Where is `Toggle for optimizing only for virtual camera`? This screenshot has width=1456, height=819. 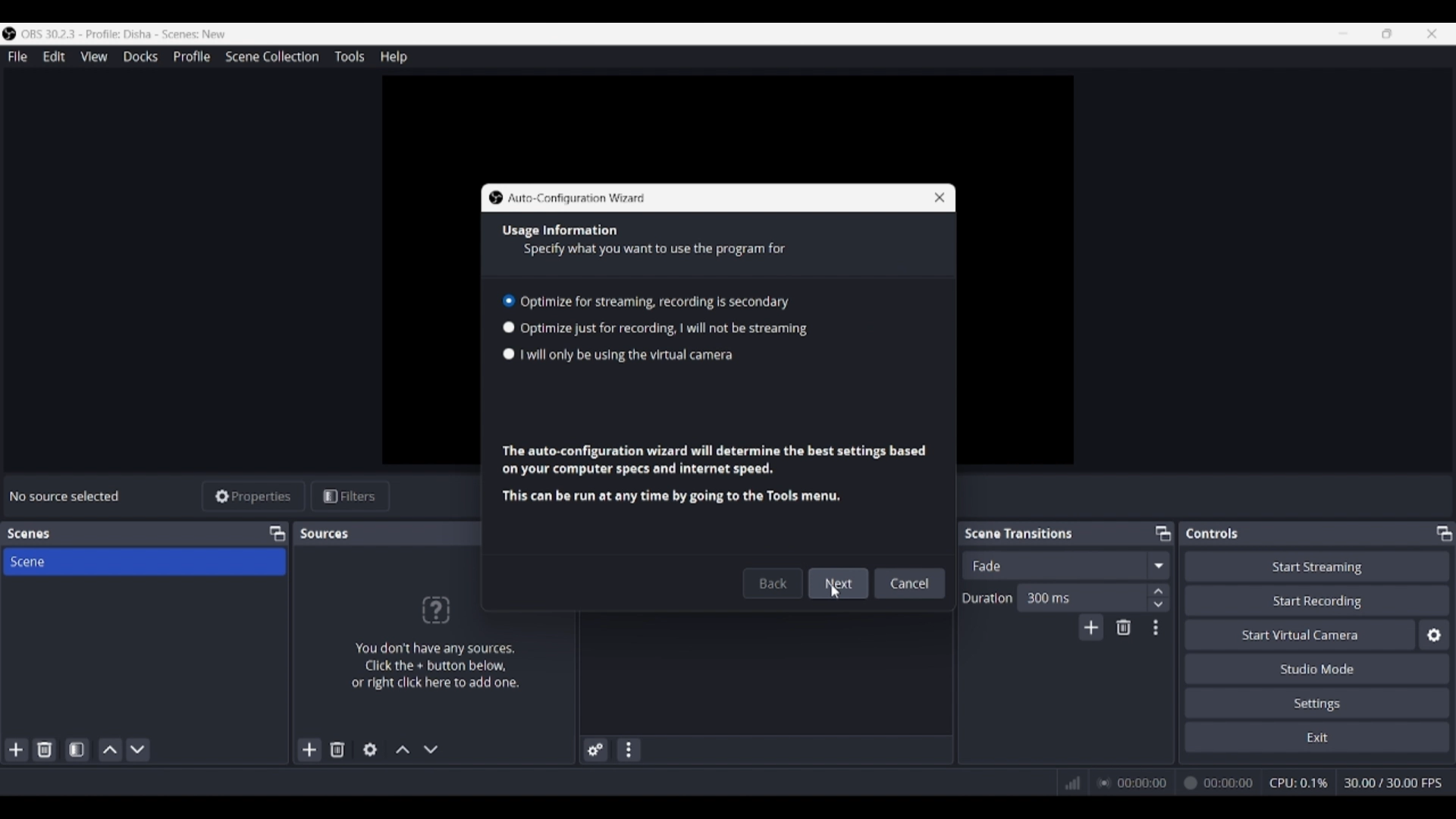
Toggle for optimizing only for virtual camera is located at coordinates (620, 355).